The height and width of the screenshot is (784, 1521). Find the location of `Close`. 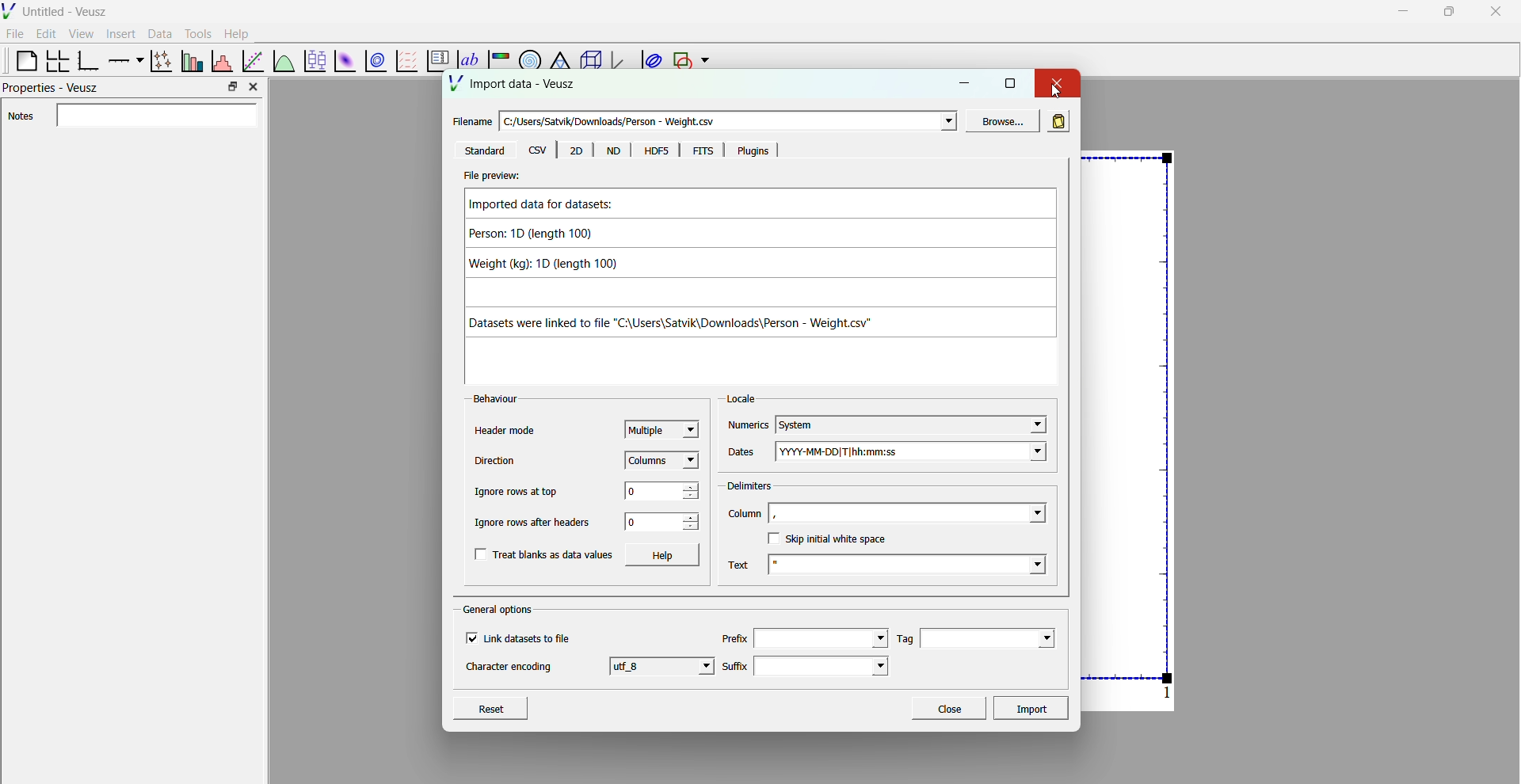

Close is located at coordinates (948, 708).